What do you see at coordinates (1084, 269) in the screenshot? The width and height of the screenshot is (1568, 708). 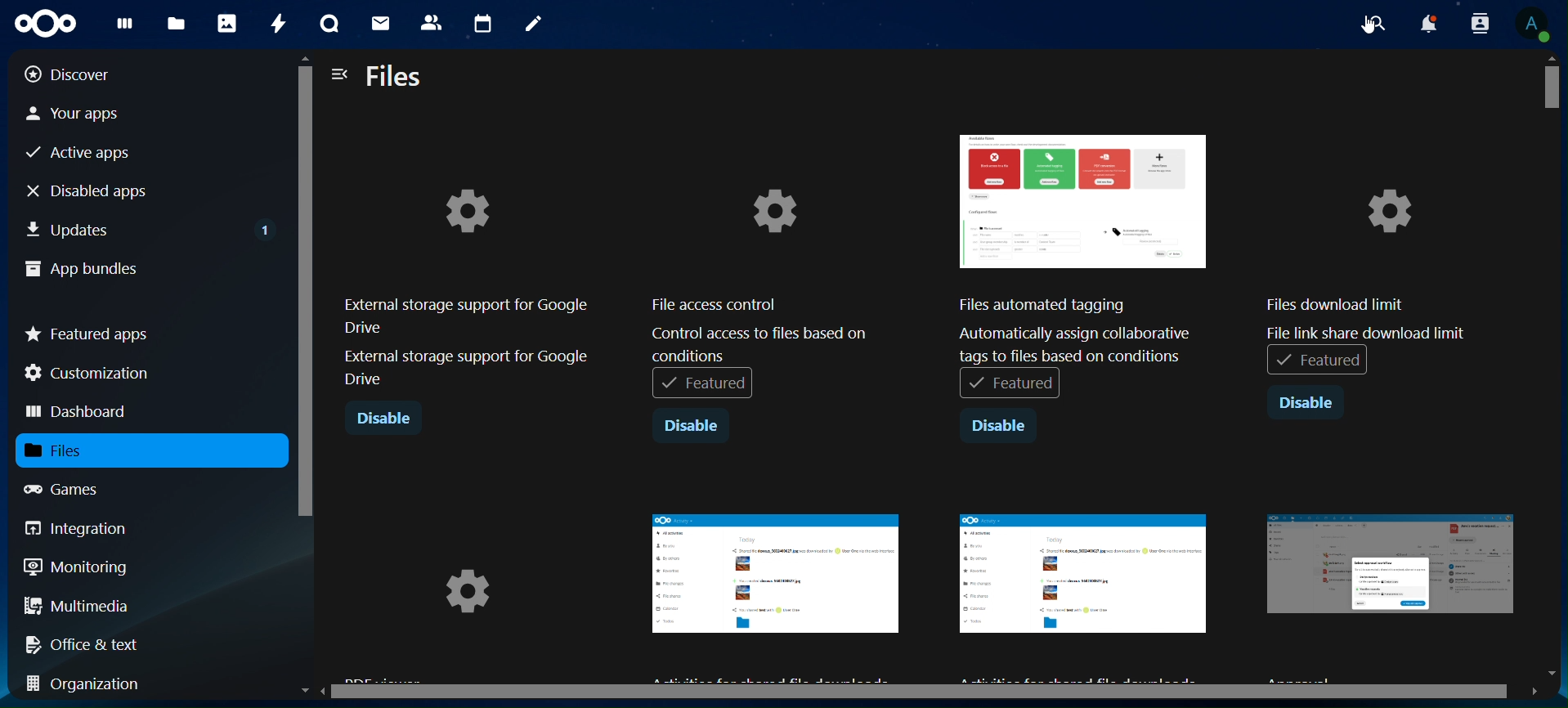 I see `Files automated tagging

Automatically assign collaborative

tags to files based on conditions
+ Featured |` at bounding box center [1084, 269].